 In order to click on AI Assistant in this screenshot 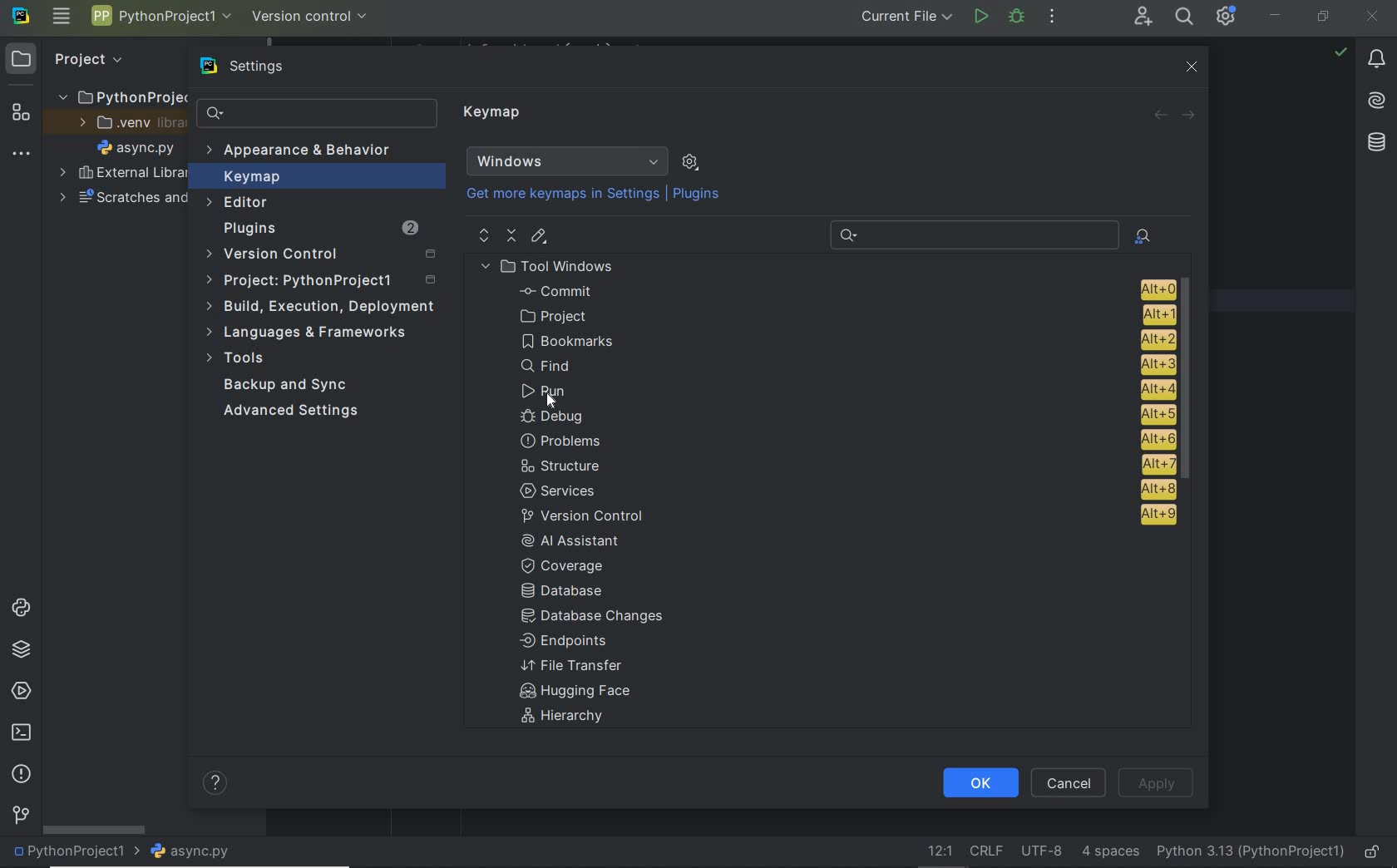, I will do `click(1378, 102)`.